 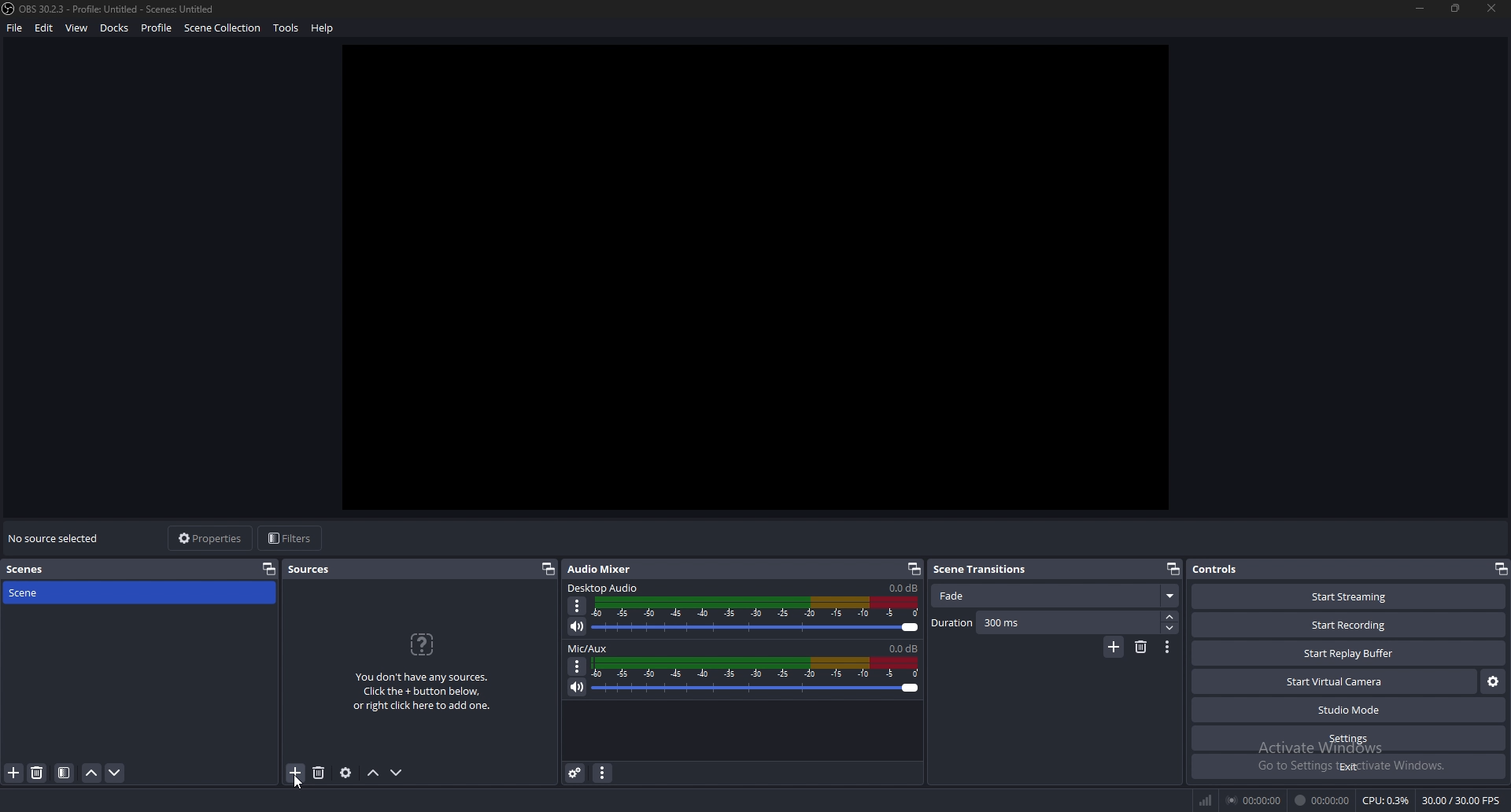 What do you see at coordinates (115, 773) in the screenshot?
I see `move scene down` at bounding box center [115, 773].